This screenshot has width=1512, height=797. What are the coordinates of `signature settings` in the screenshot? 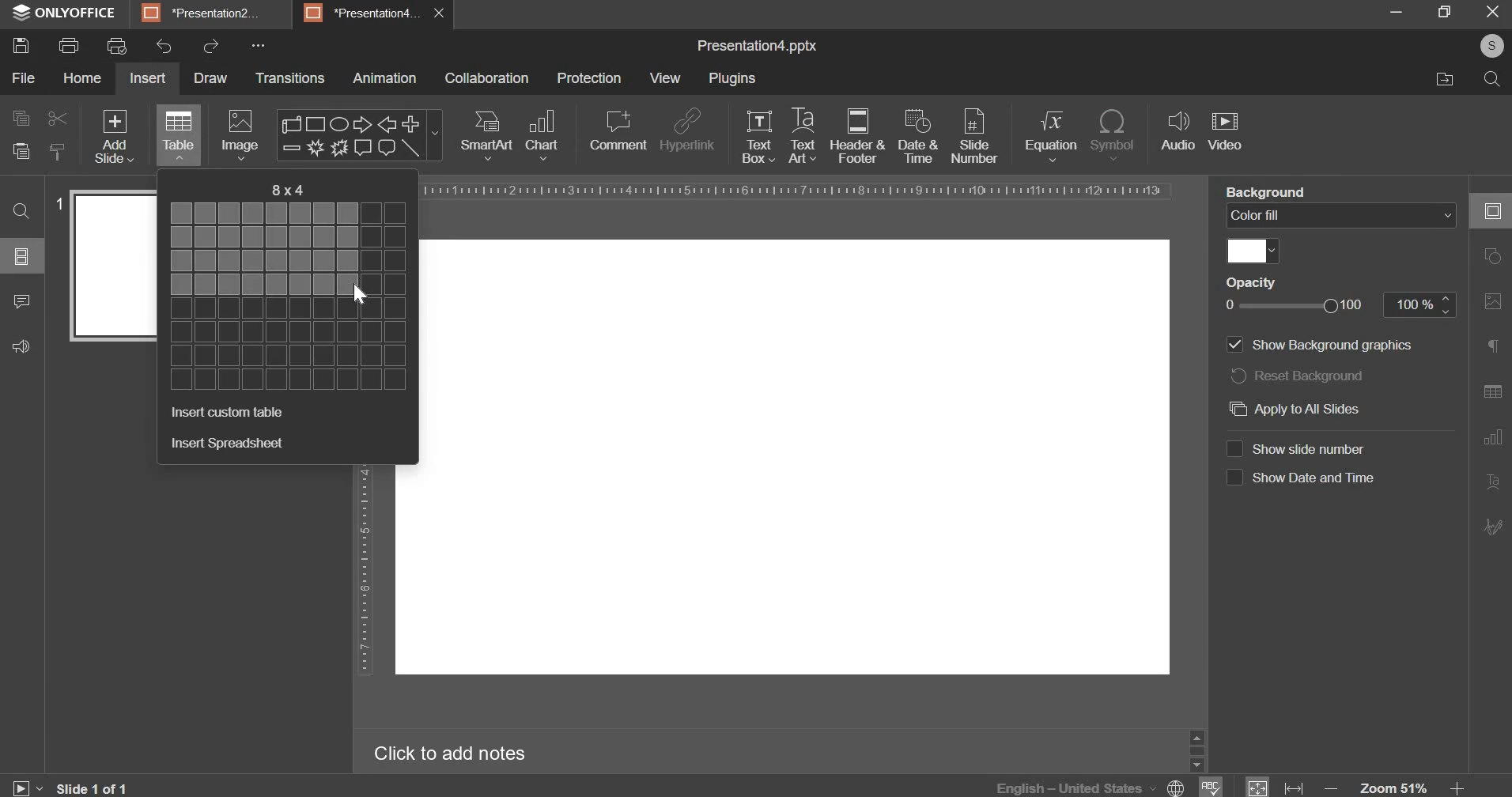 It's located at (1495, 527).